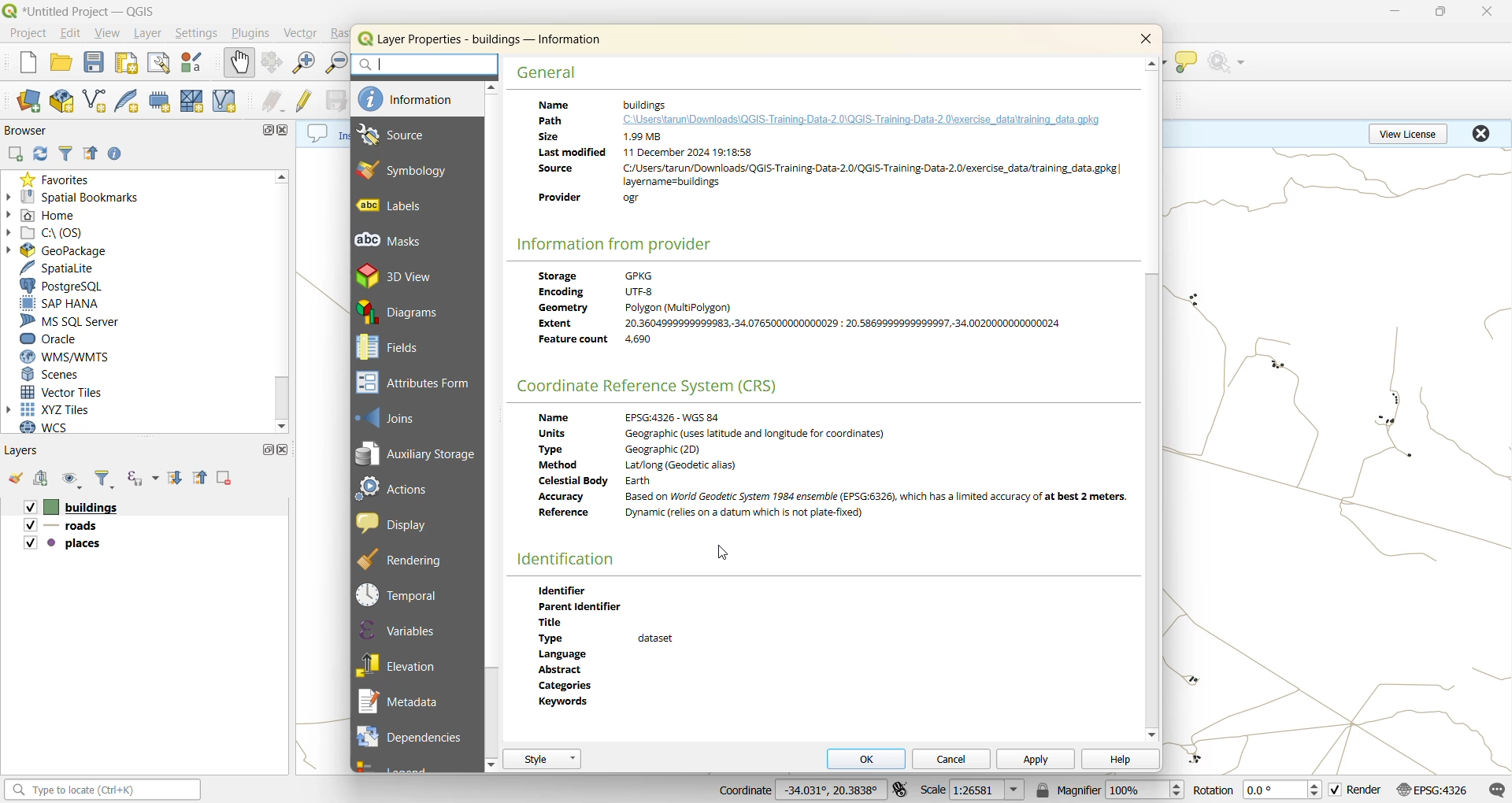 The width and height of the screenshot is (1512, 803). What do you see at coordinates (391, 348) in the screenshot?
I see `fields` at bounding box center [391, 348].